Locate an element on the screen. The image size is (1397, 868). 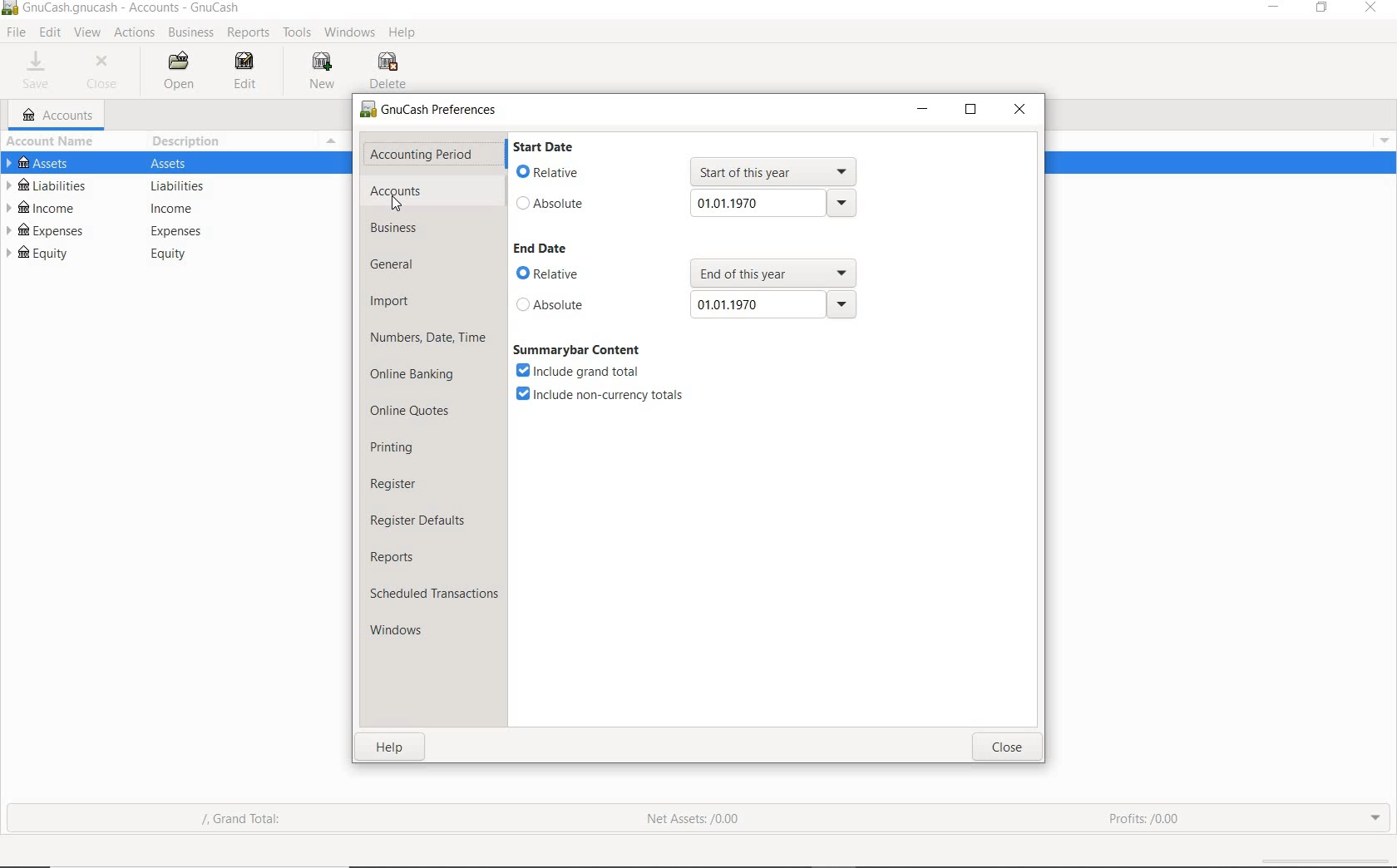
 is located at coordinates (11, 8).